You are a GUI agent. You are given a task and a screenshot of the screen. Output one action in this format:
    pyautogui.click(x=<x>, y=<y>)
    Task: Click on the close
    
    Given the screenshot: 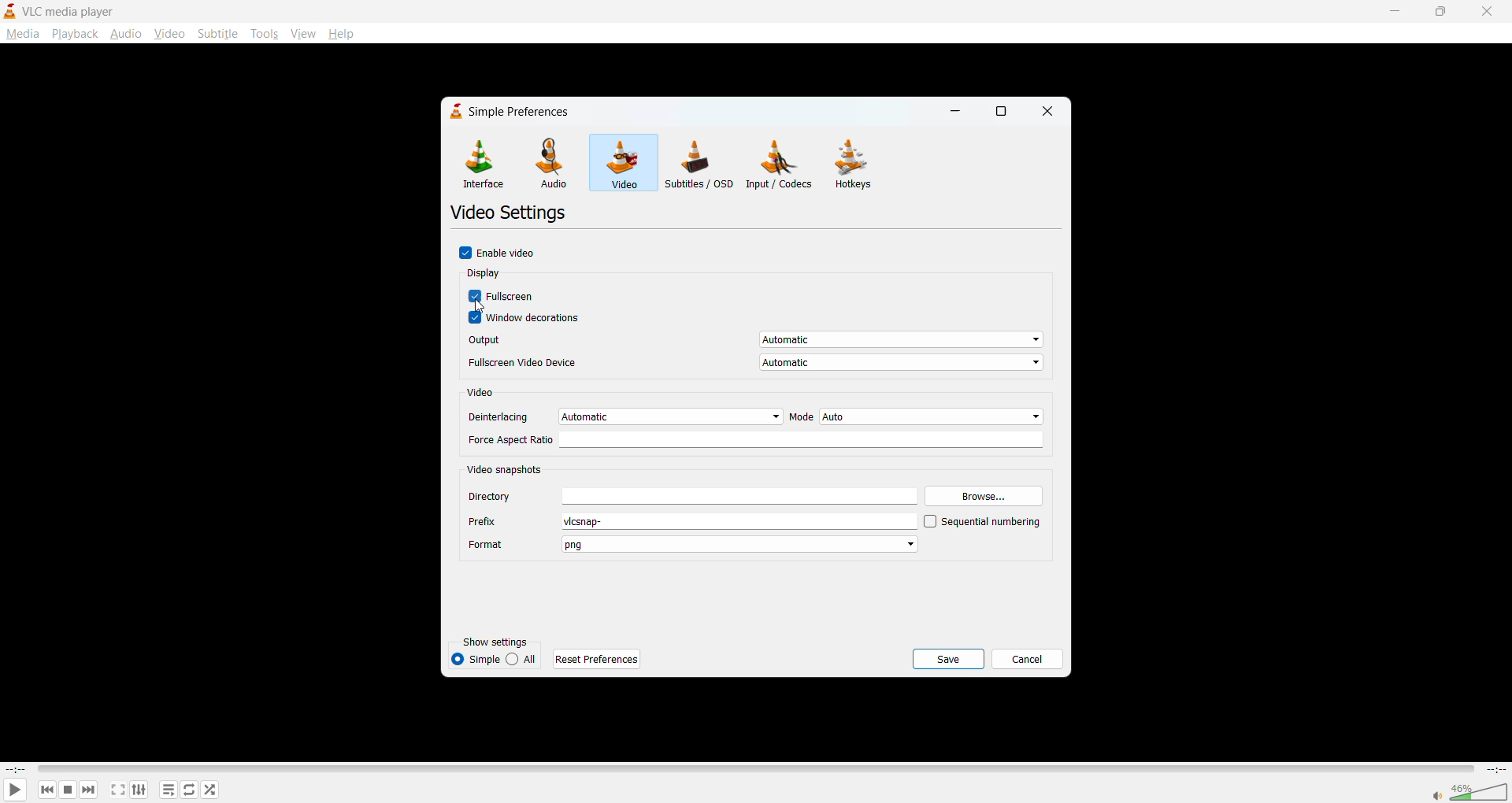 What is the action you would take?
    pyautogui.click(x=1048, y=112)
    